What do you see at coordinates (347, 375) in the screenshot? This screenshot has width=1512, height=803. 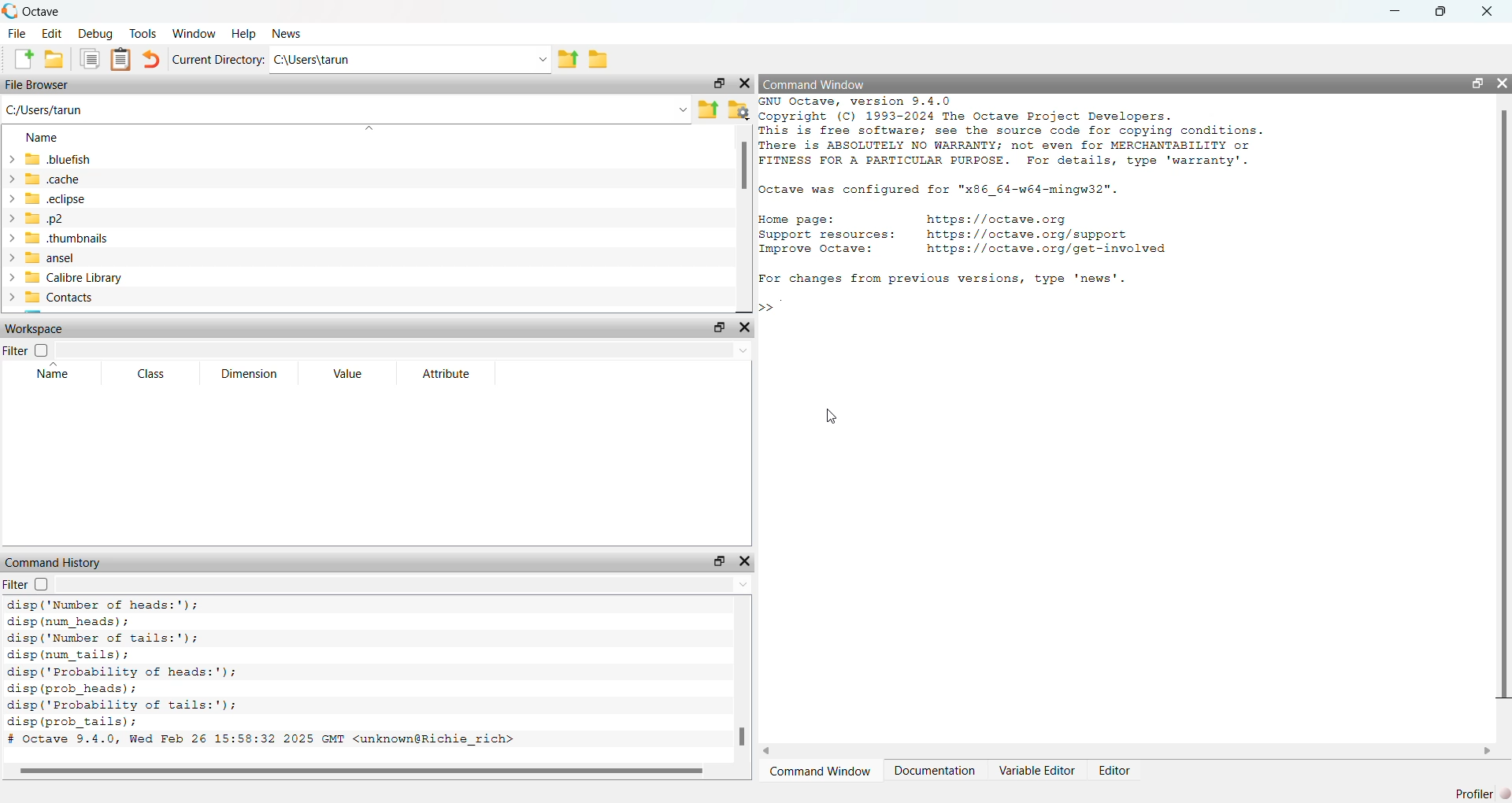 I see `Value` at bounding box center [347, 375].